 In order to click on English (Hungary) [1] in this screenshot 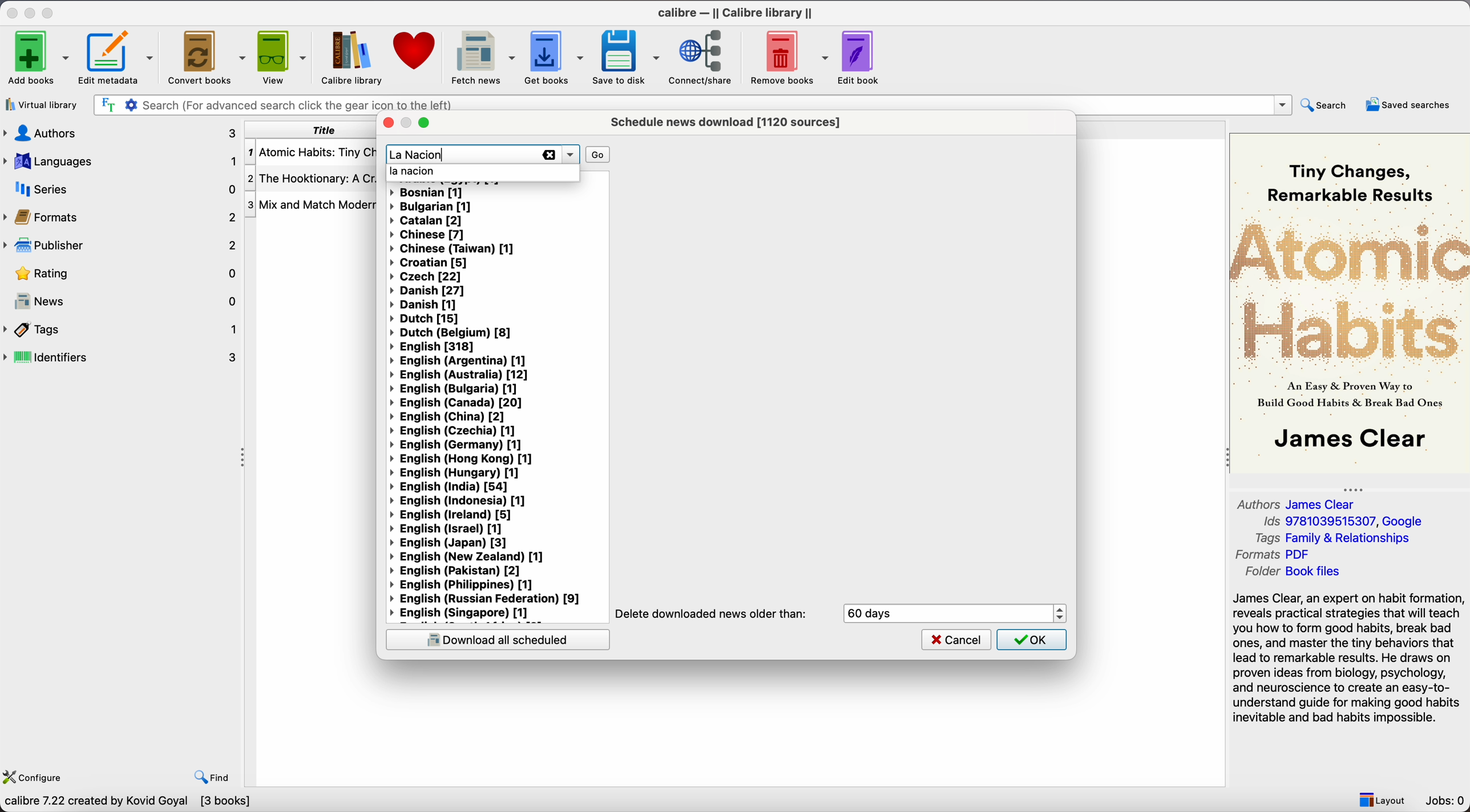, I will do `click(457, 473)`.